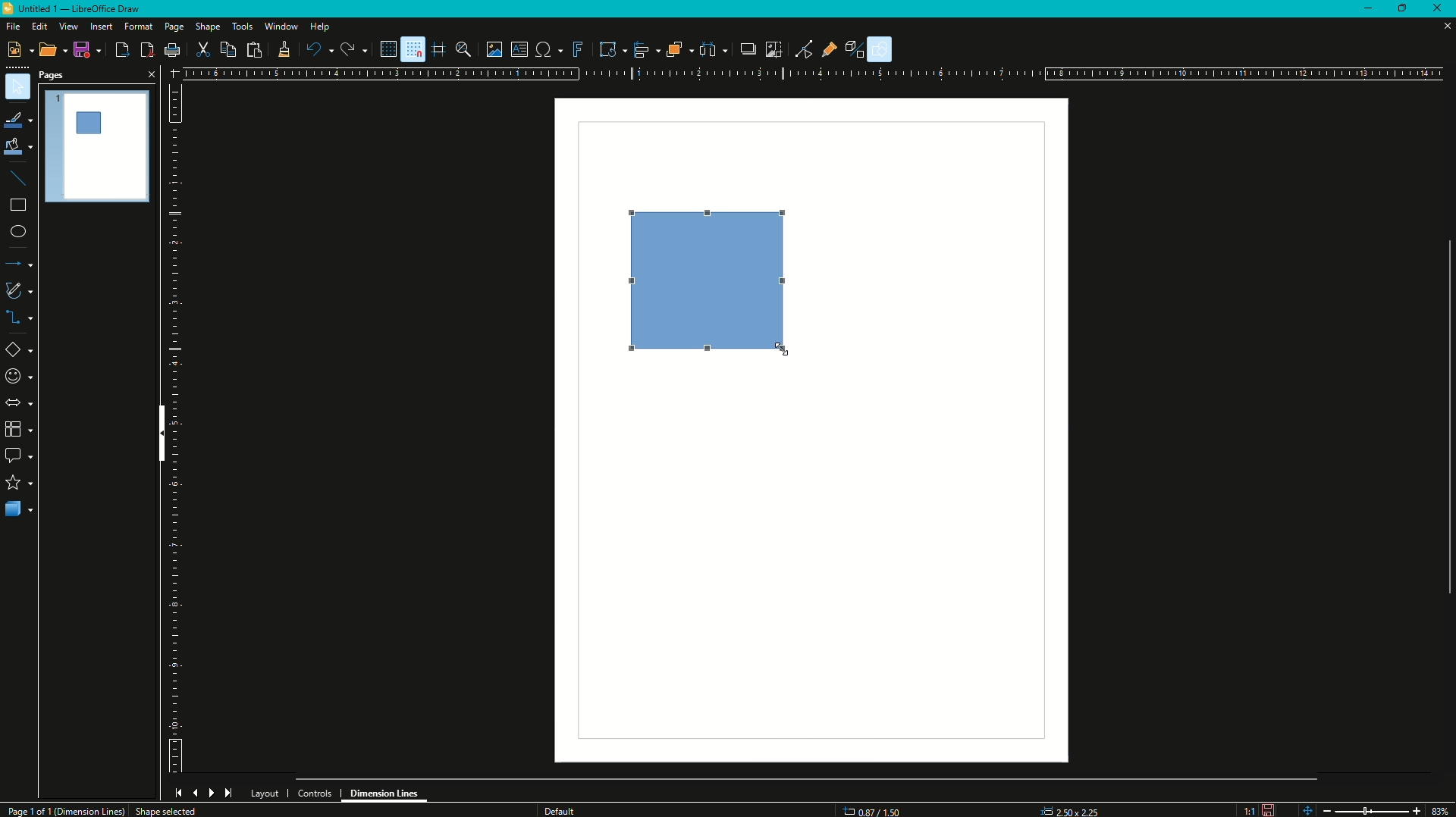  What do you see at coordinates (226, 50) in the screenshot?
I see `Copy` at bounding box center [226, 50].